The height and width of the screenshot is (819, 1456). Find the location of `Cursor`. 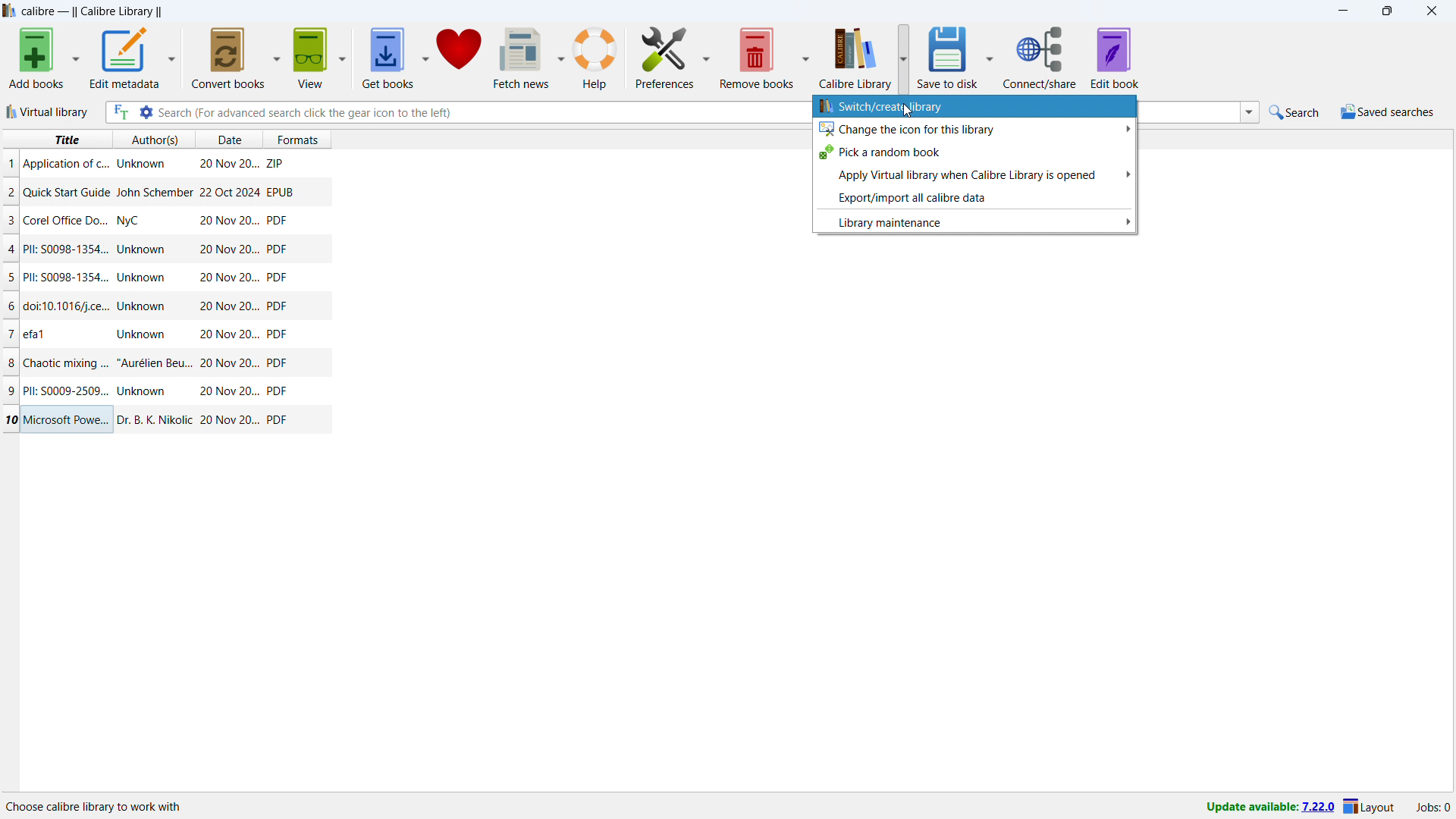

Cursor is located at coordinates (904, 107).